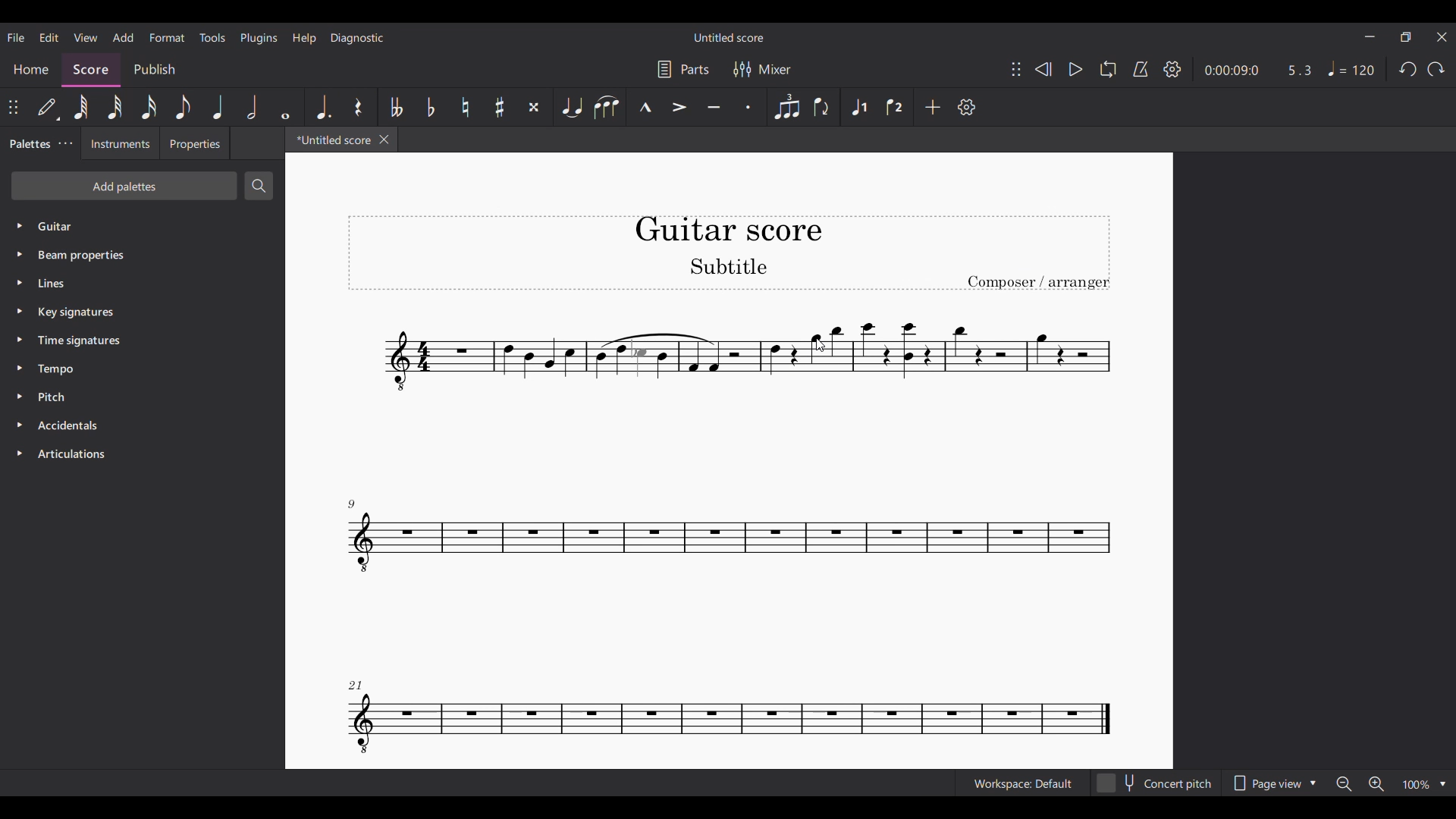 This screenshot has width=1456, height=819. What do you see at coordinates (1141, 69) in the screenshot?
I see `Metronome` at bounding box center [1141, 69].